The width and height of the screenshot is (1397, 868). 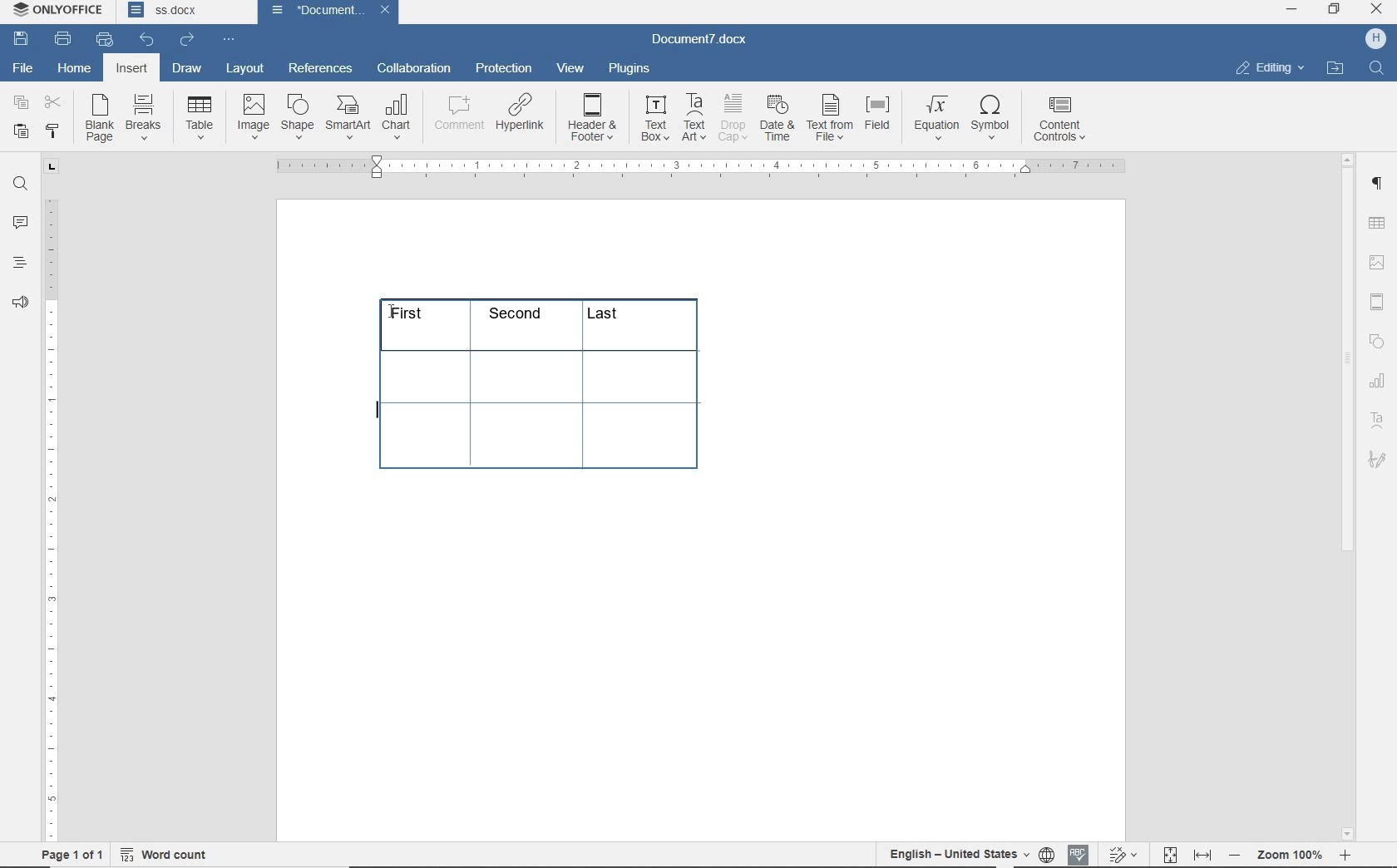 What do you see at coordinates (1268, 67) in the screenshot?
I see `EDITING` at bounding box center [1268, 67].